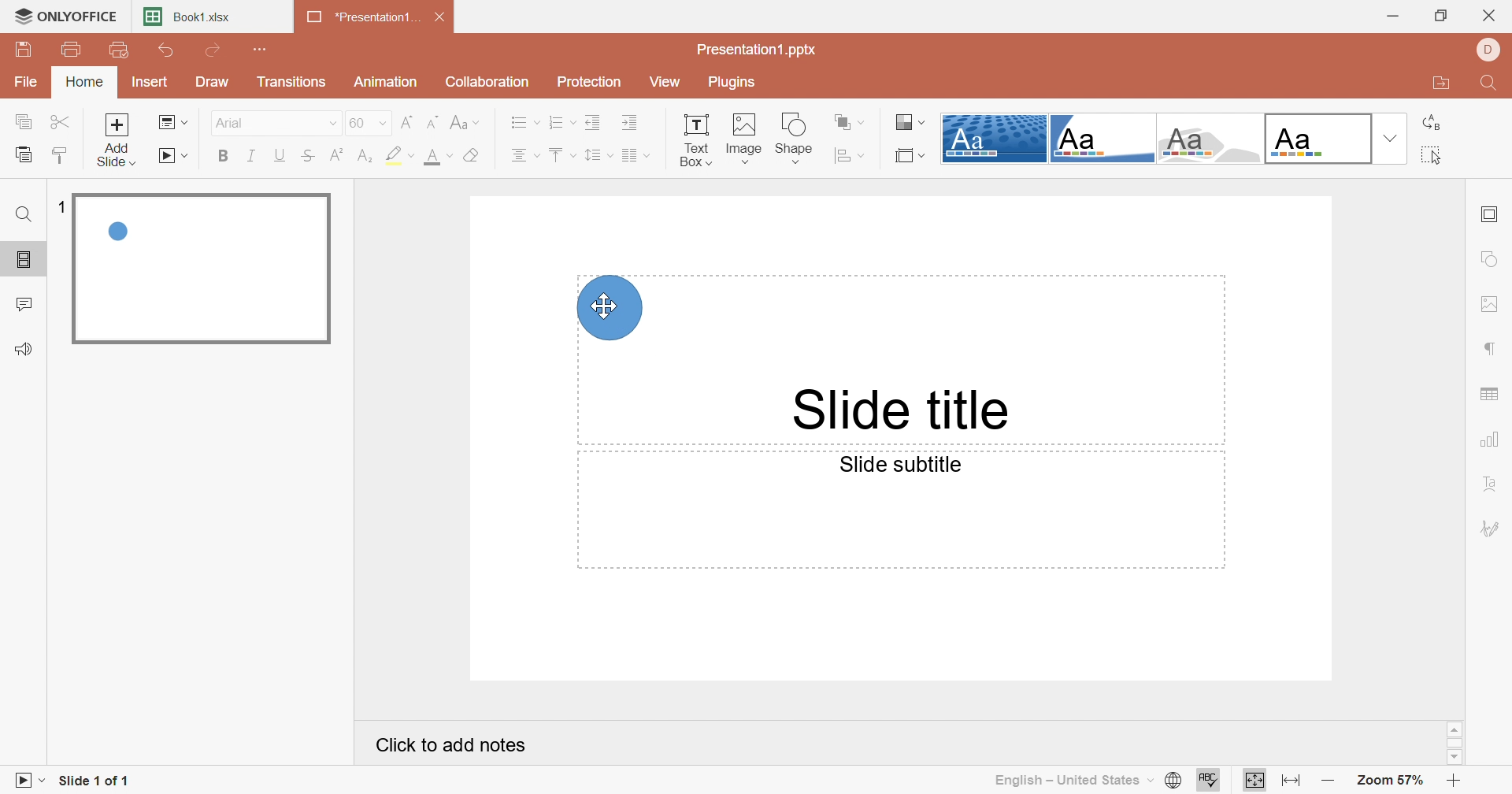  What do you see at coordinates (757, 48) in the screenshot?
I see `Presentation.pptx` at bounding box center [757, 48].